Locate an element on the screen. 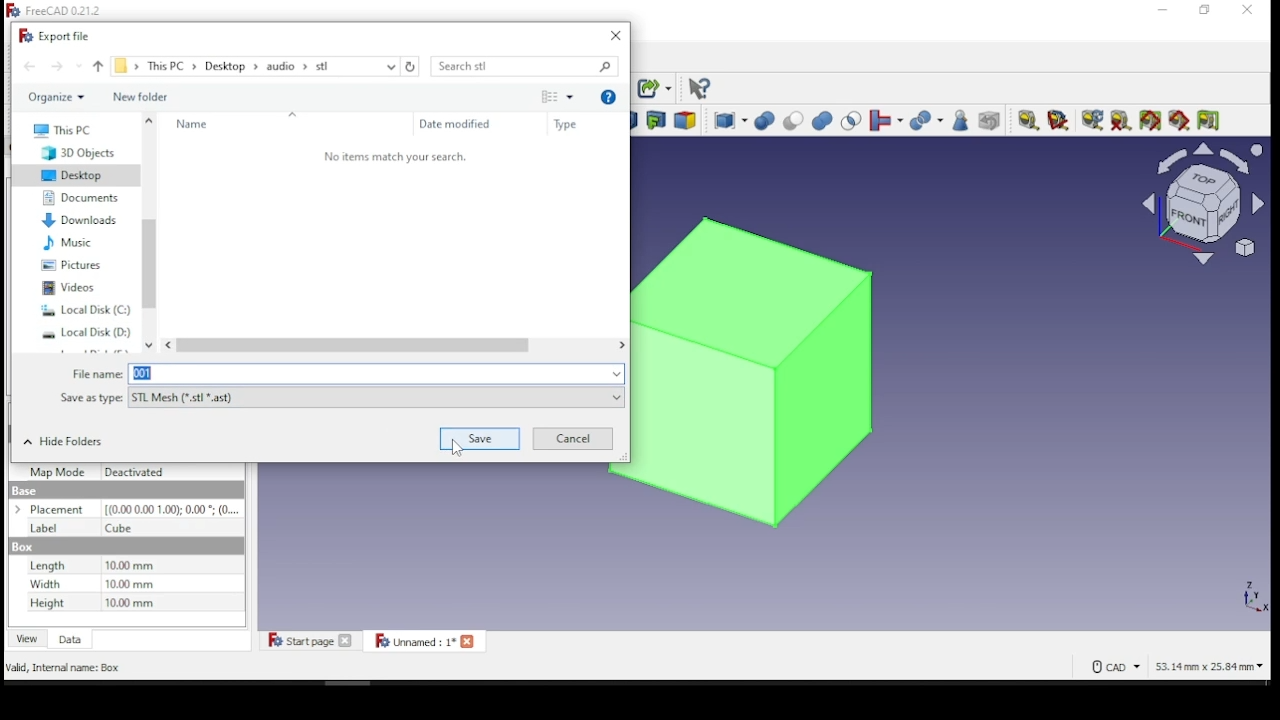 Image resolution: width=1280 pixels, height=720 pixels. ‘No items match your search. is located at coordinates (396, 157).